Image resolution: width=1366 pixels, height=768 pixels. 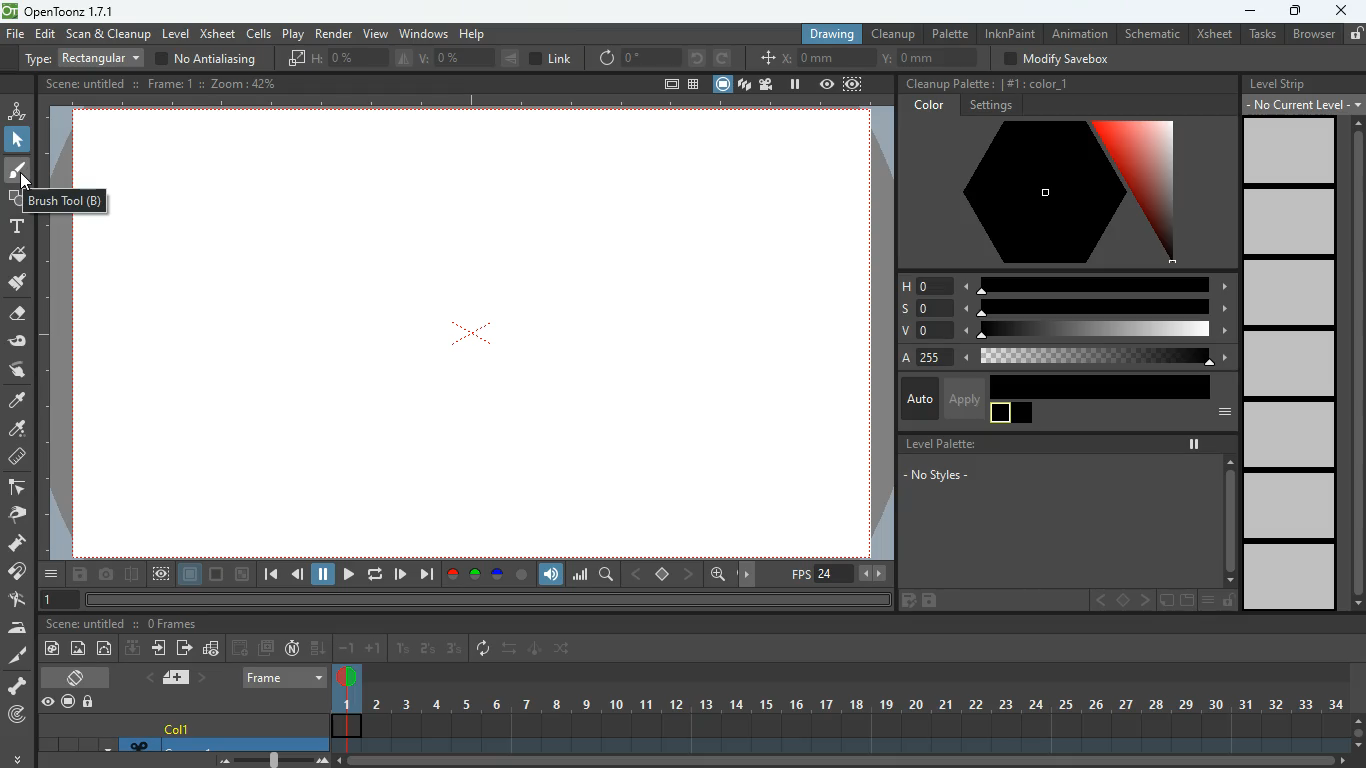 What do you see at coordinates (106, 648) in the screenshot?
I see `change` at bounding box center [106, 648].